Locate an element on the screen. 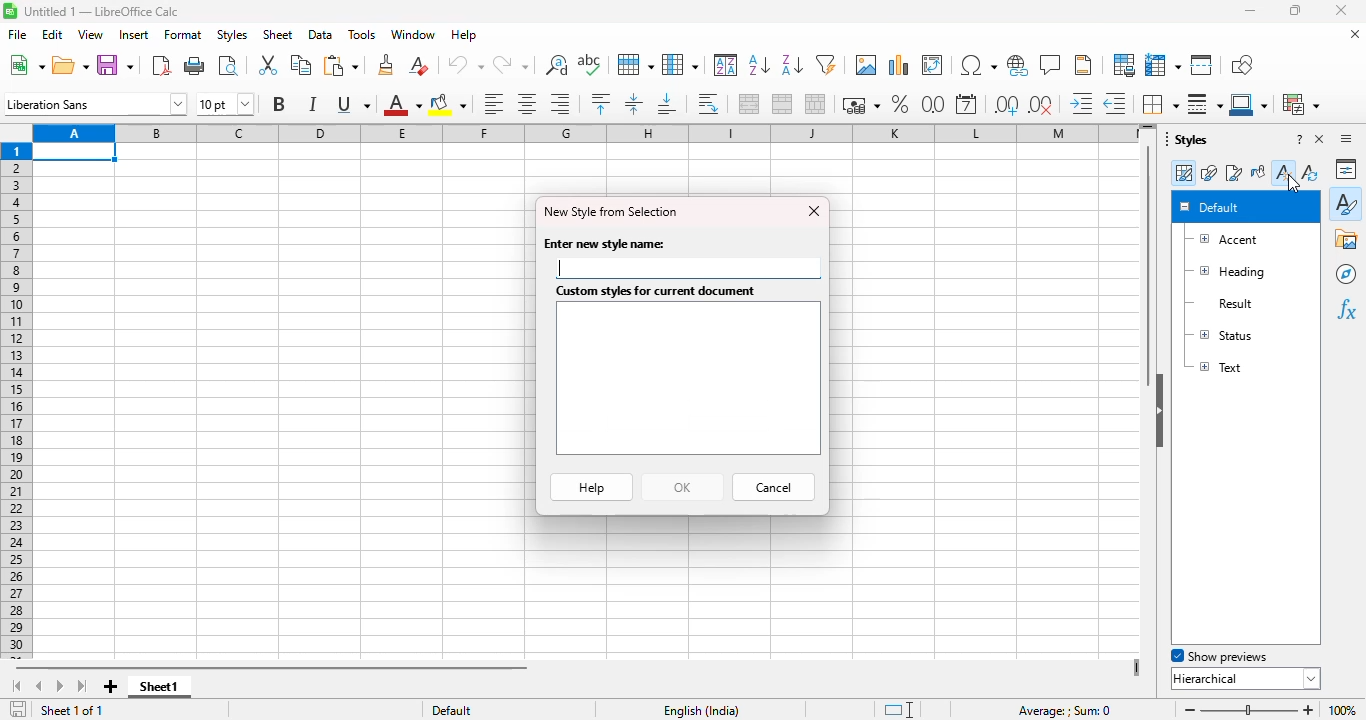 Image resolution: width=1366 pixels, height=720 pixels. text language is located at coordinates (700, 711).